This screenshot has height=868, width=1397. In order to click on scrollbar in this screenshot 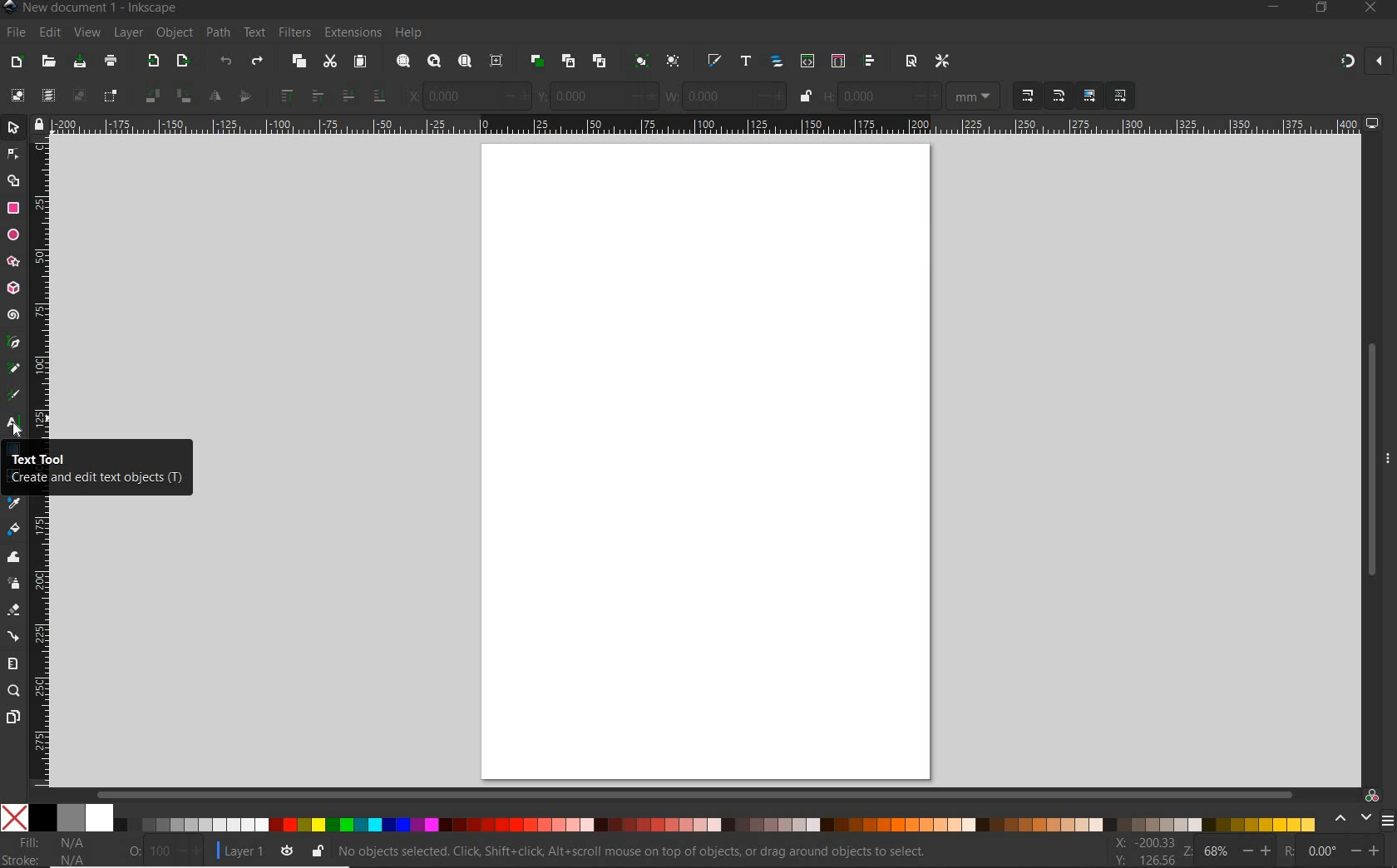, I will do `click(696, 794)`.